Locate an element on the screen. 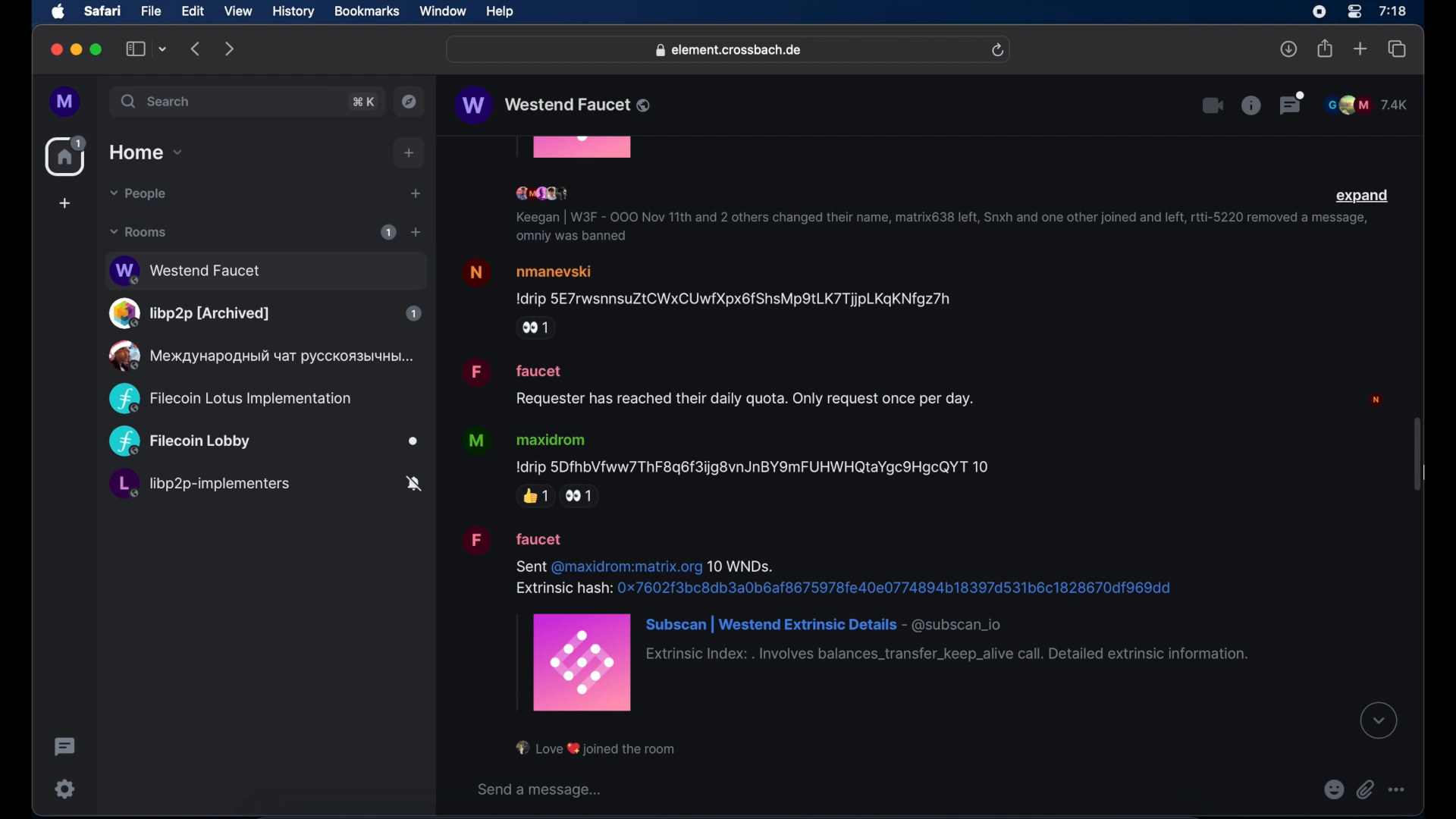 The image size is (1456, 819). public room is located at coordinates (230, 399).